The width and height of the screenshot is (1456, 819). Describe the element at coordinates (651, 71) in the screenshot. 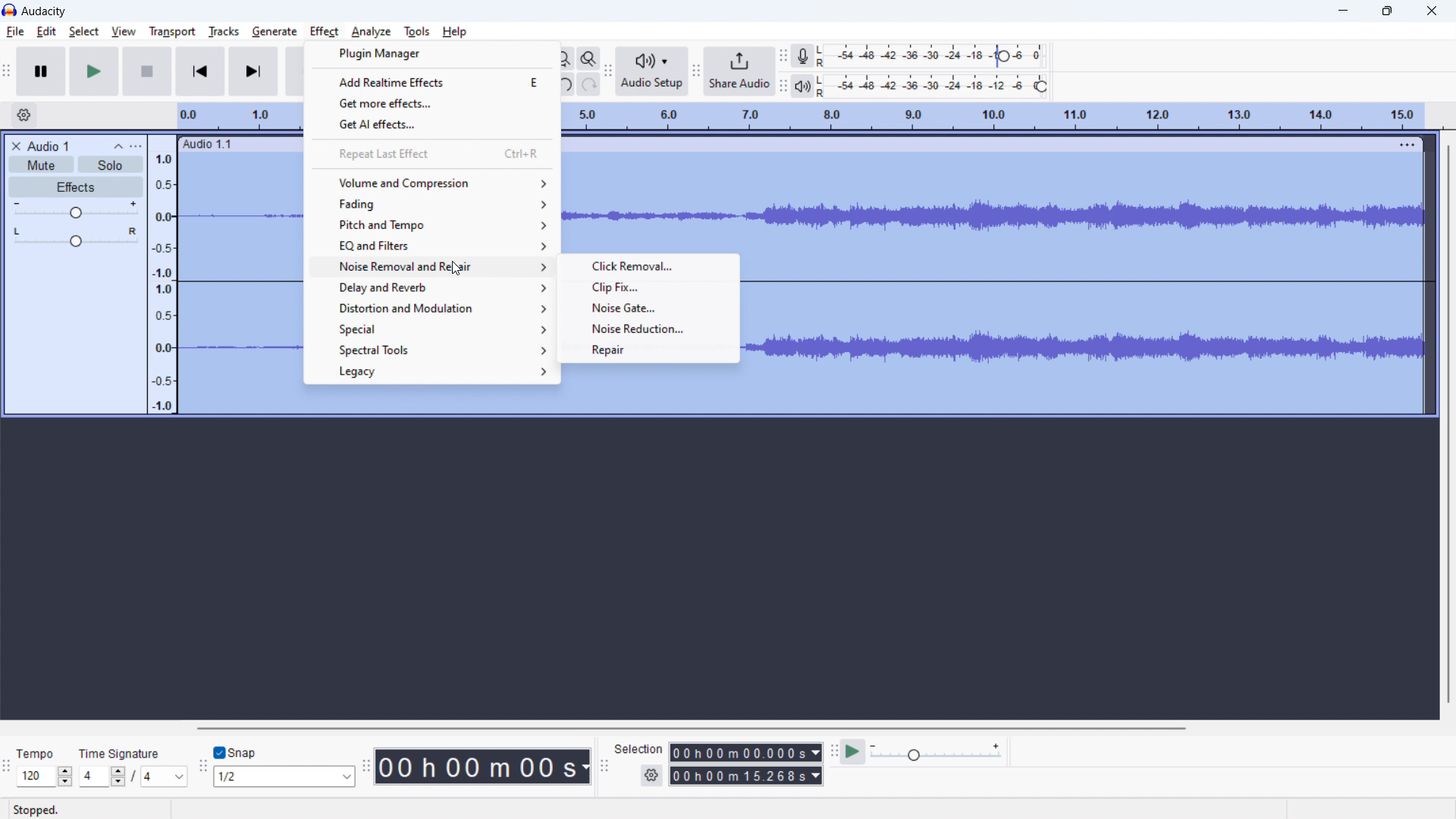

I see `audio setup` at that location.